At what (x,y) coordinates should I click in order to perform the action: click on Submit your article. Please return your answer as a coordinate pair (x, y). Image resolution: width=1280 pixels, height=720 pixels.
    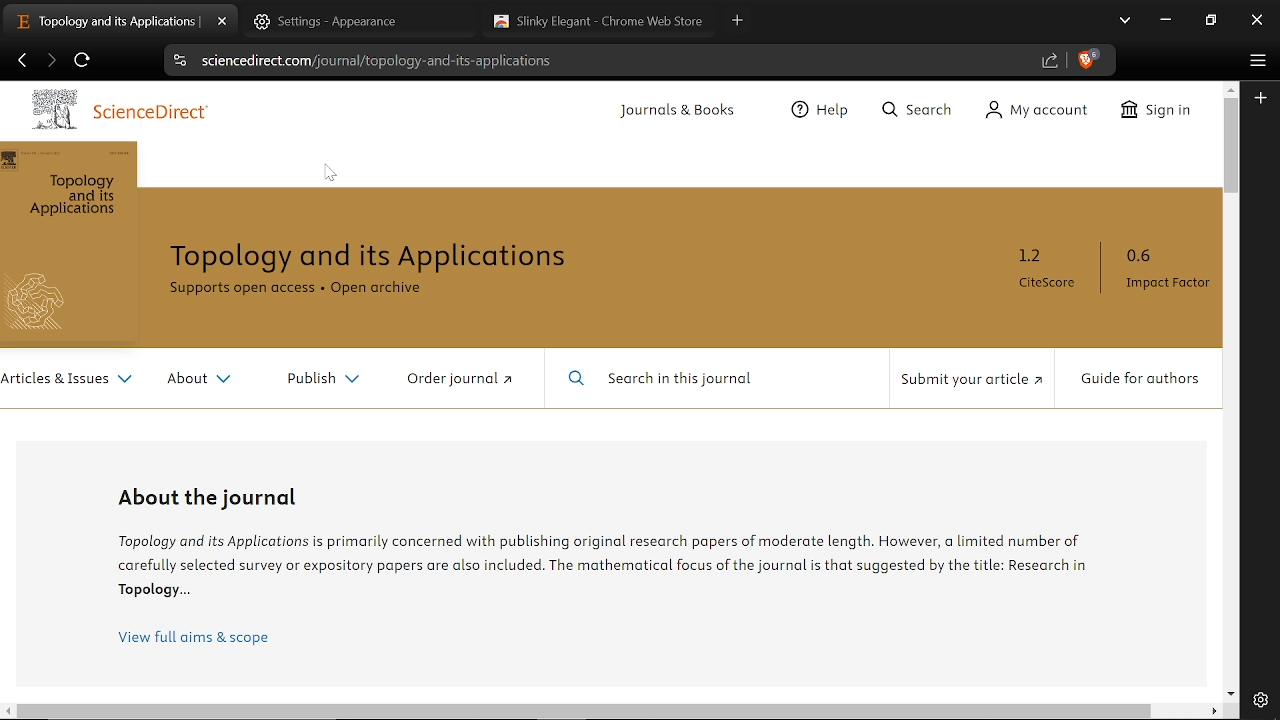
    Looking at the image, I should click on (973, 380).